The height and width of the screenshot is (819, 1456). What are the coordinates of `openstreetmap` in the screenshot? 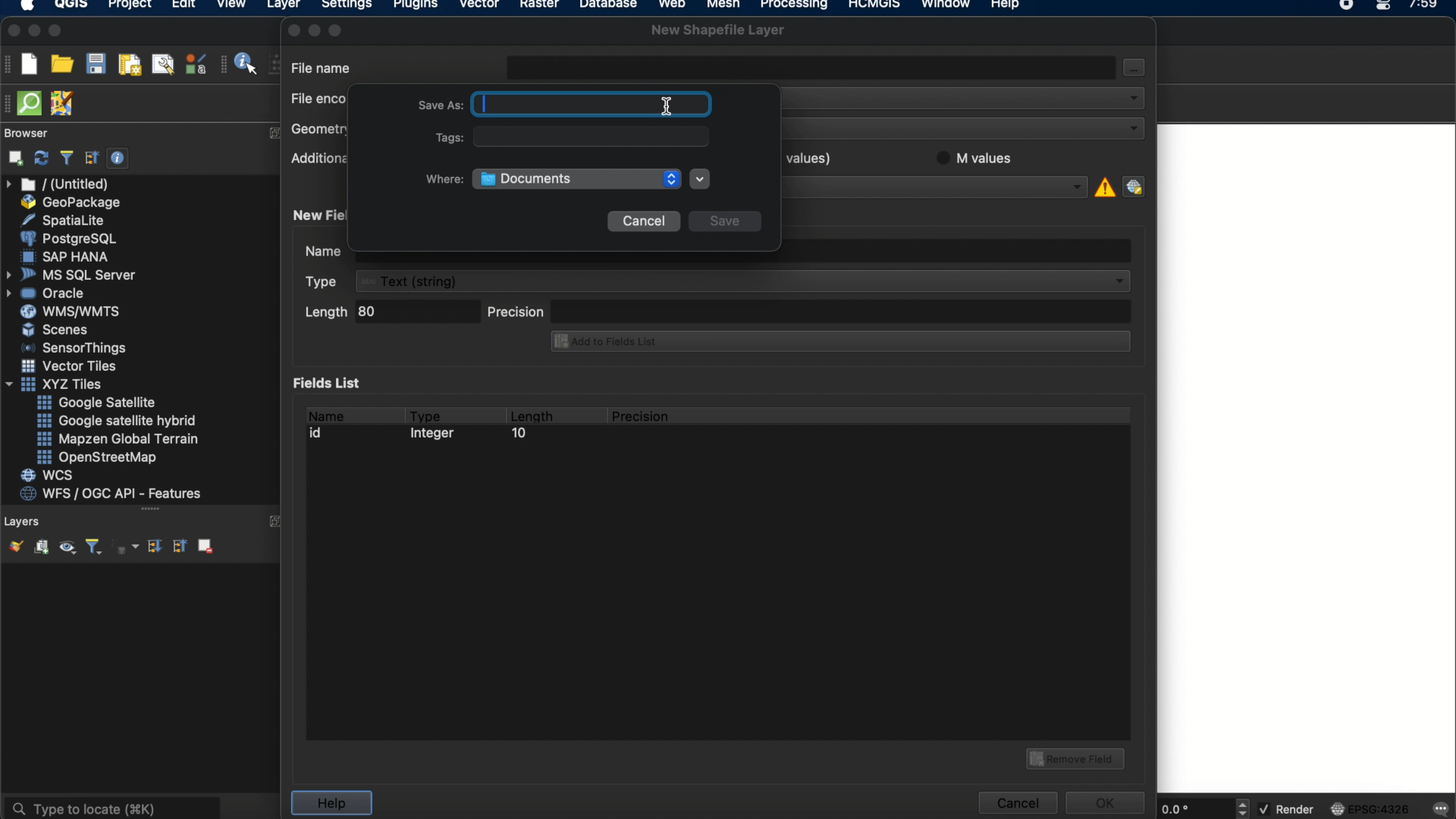 It's located at (97, 458).